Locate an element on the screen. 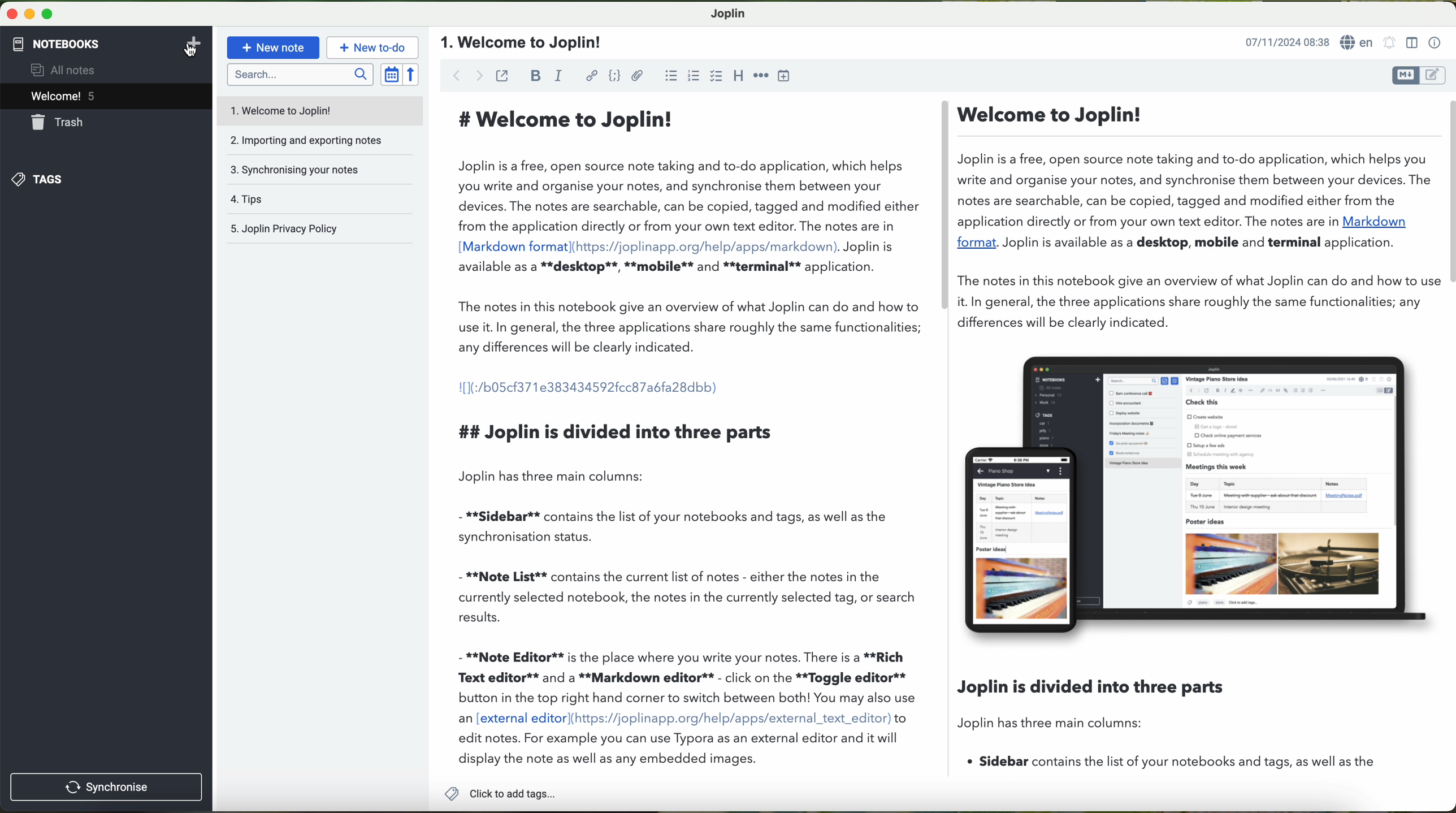 Image resolution: width=1456 pixels, height=813 pixels. new to-do button is located at coordinates (374, 47).